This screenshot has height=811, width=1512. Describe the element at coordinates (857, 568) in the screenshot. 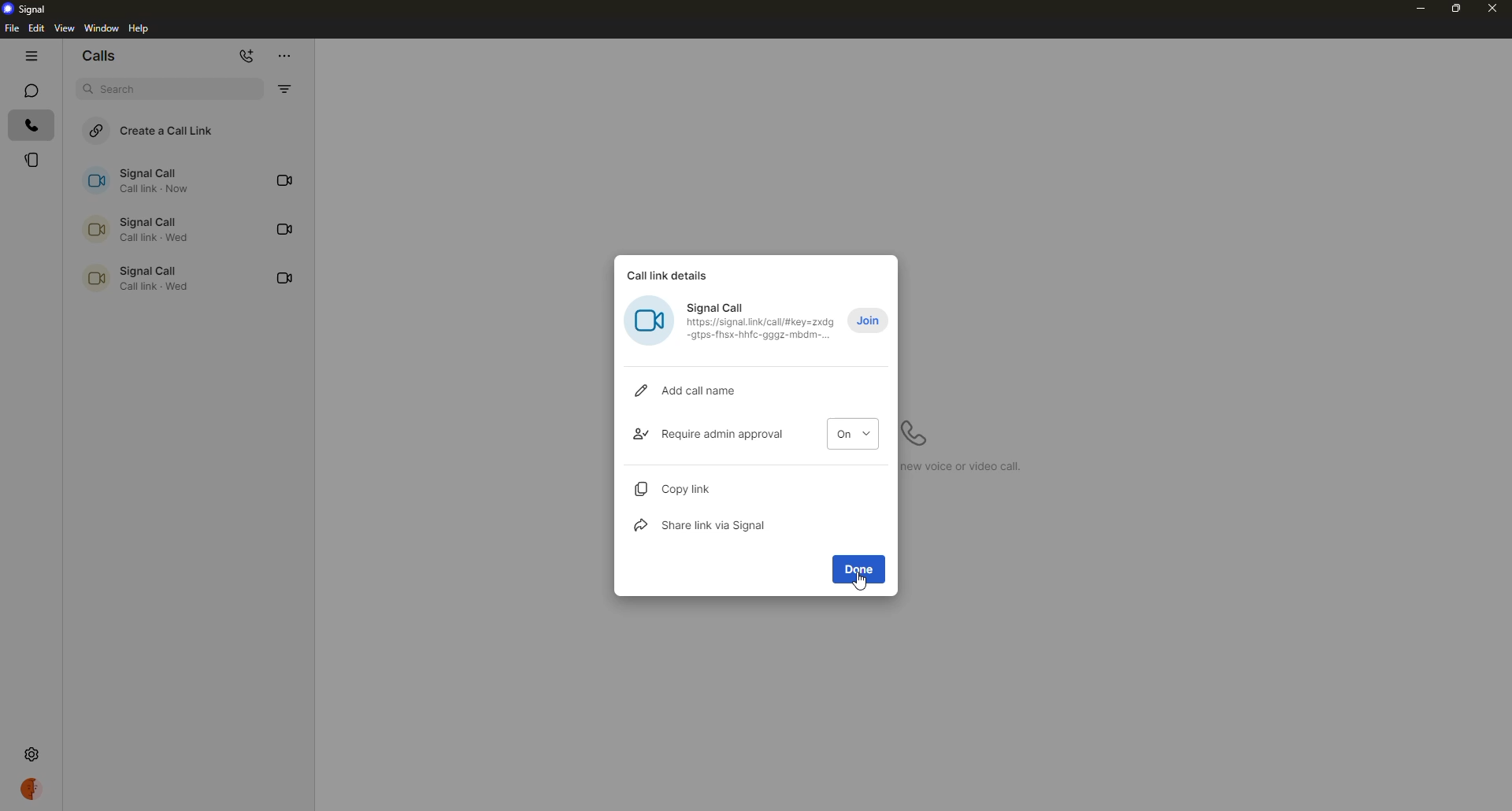

I see `done` at that location.